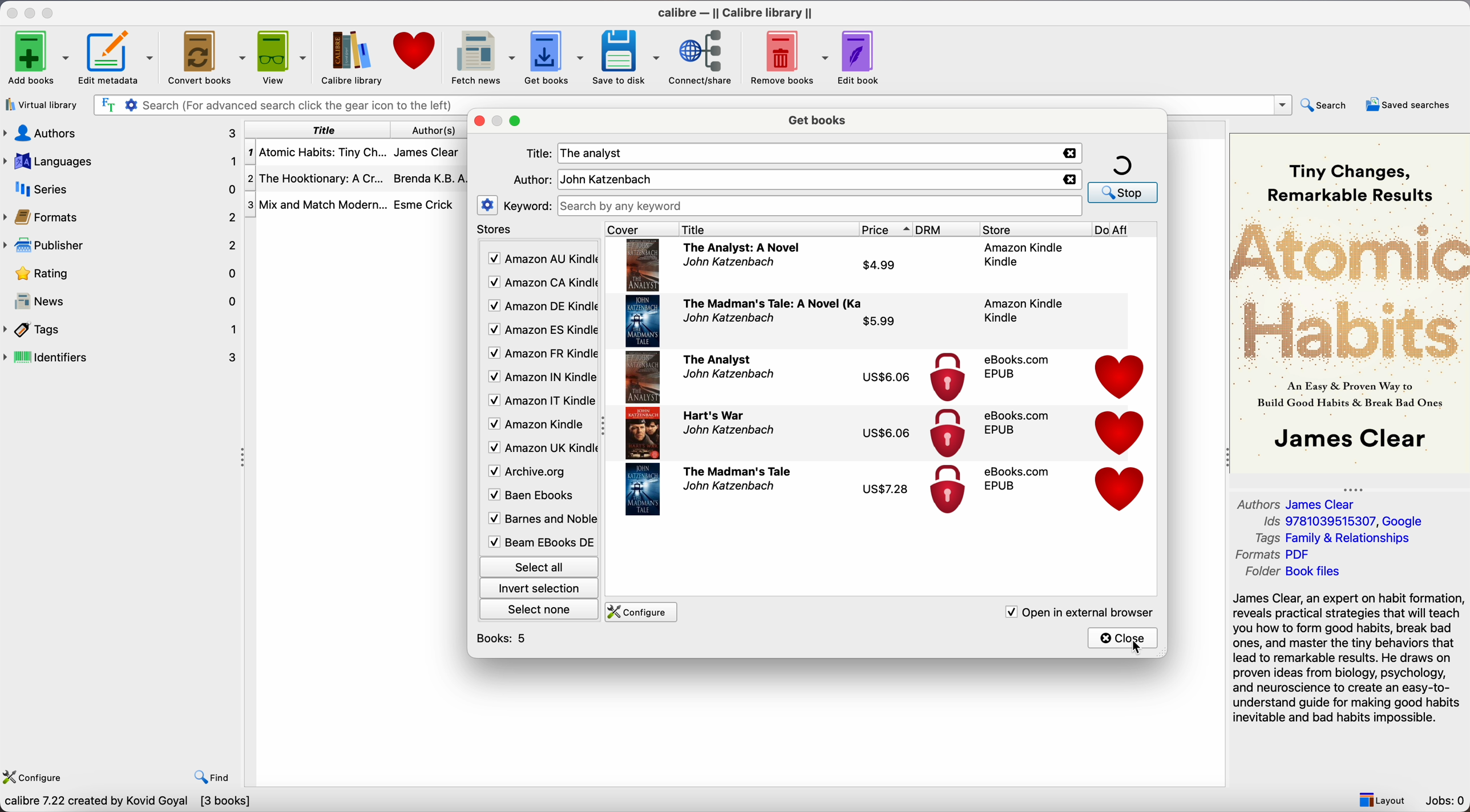 This screenshot has height=812, width=1470. What do you see at coordinates (430, 155) in the screenshot?
I see `James Clear` at bounding box center [430, 155].